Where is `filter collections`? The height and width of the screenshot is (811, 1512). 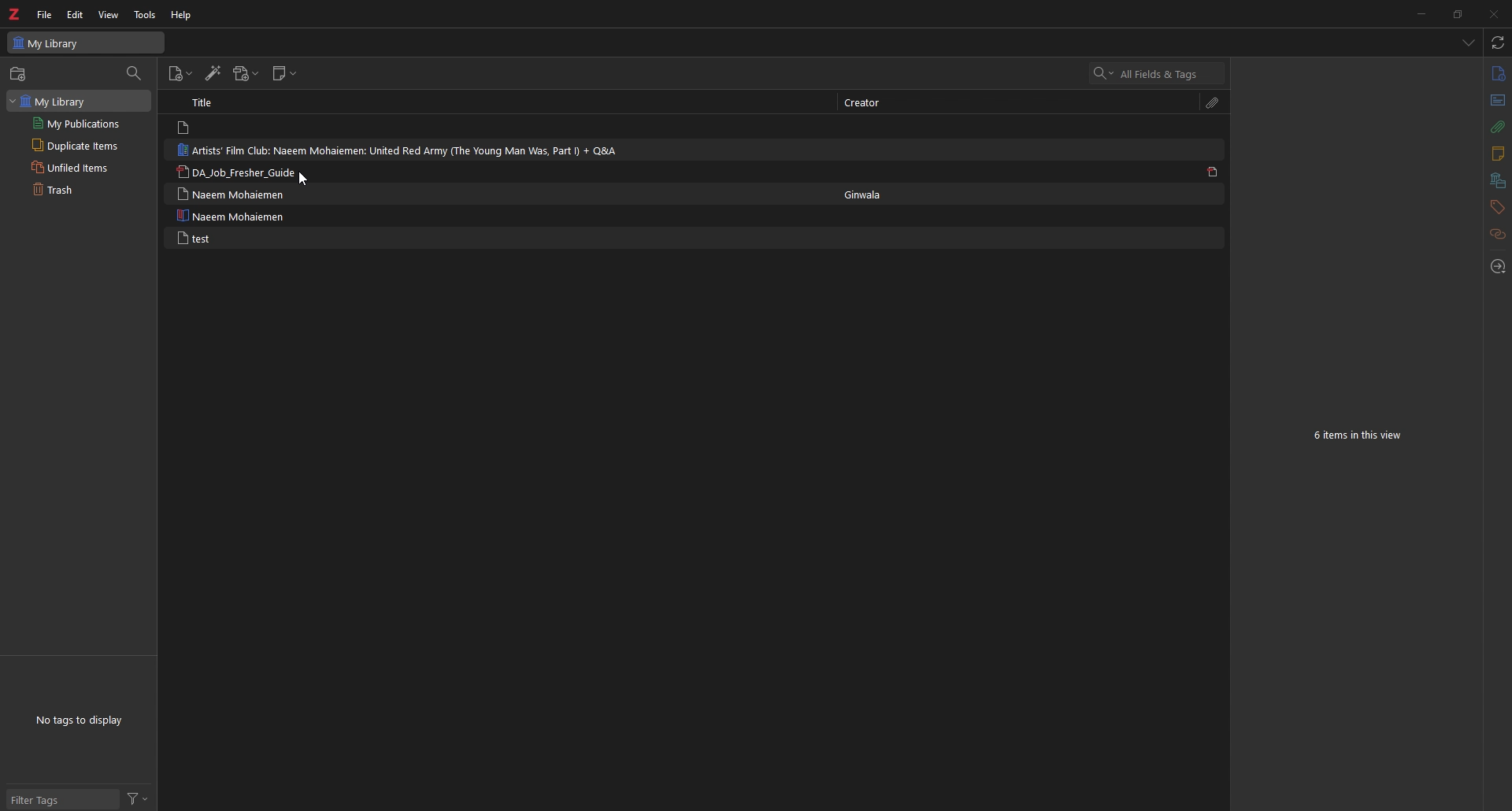
filter collections is located at coordinates (133, 72).